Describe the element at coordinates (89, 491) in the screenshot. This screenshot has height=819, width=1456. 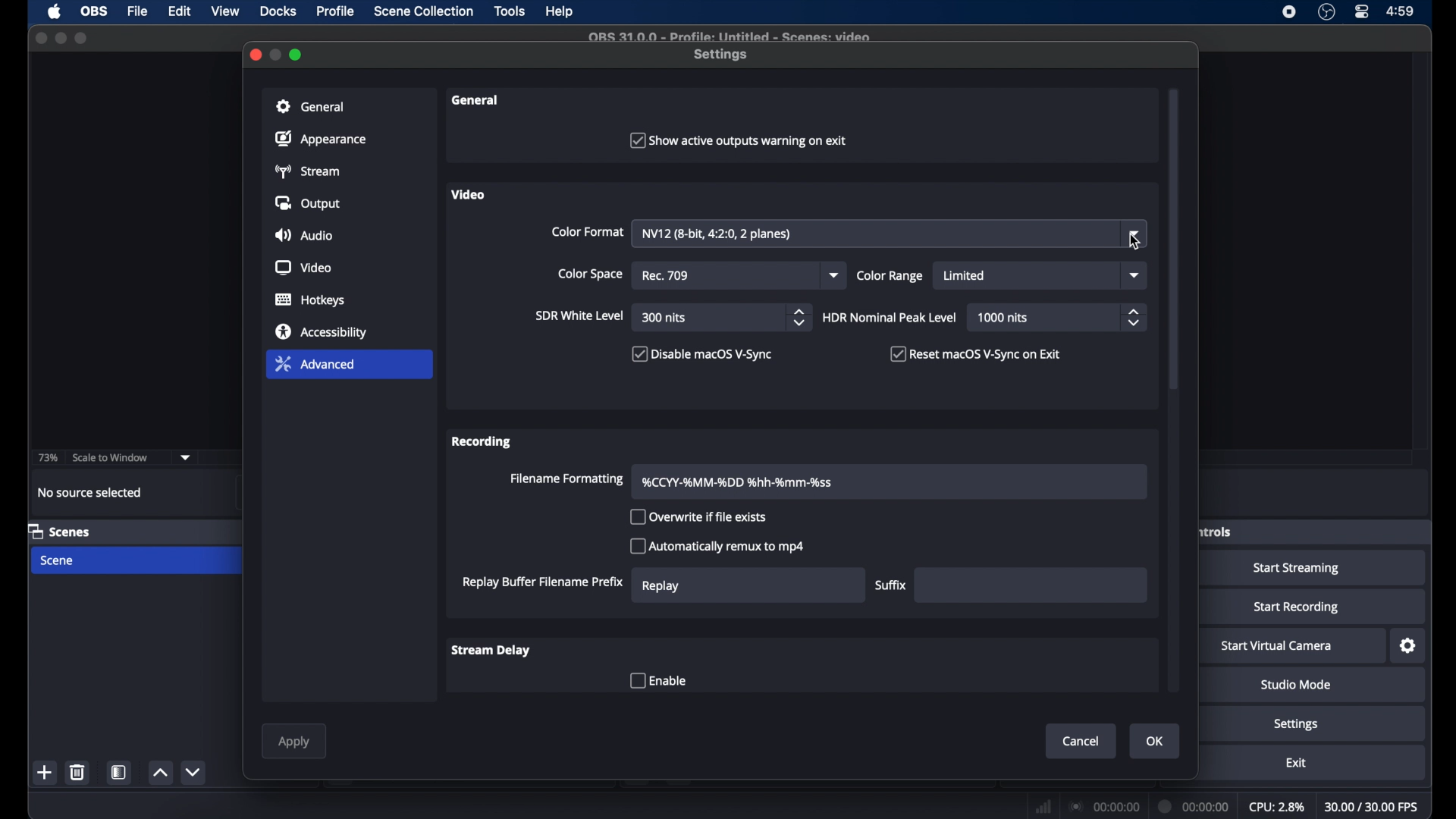
I see `no source selected` at that location.